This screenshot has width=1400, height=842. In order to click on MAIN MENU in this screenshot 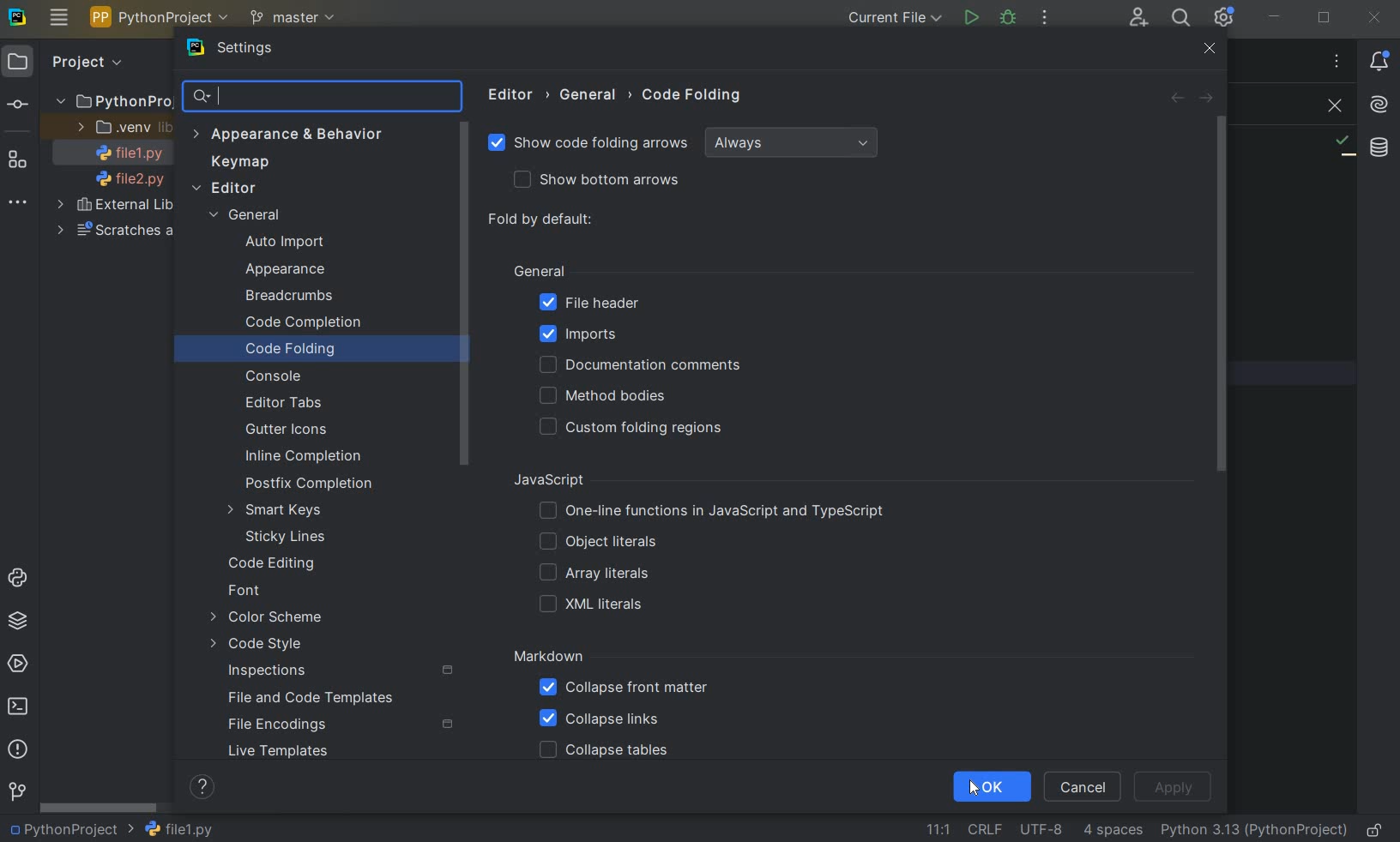, I will do `click(59, 18)`.